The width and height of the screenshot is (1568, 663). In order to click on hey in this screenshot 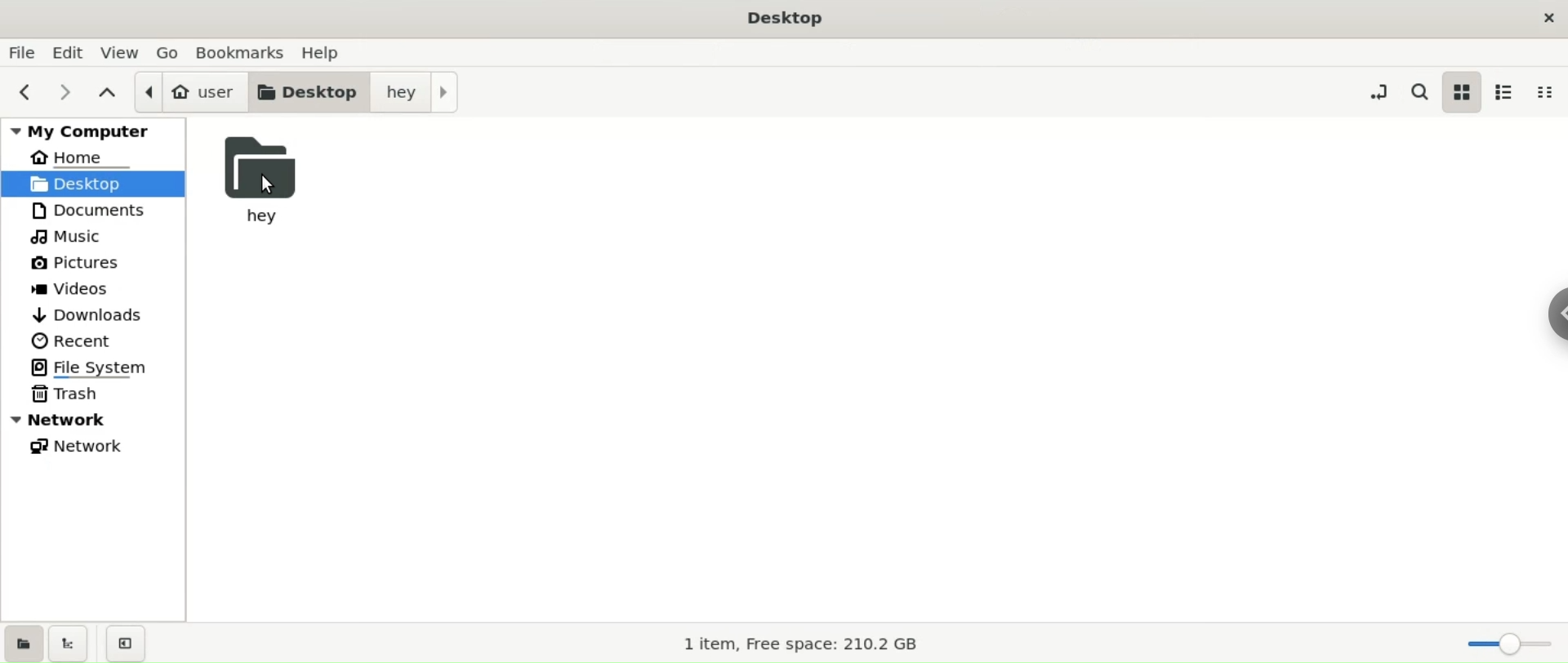, I will do `click(415, 92)`.